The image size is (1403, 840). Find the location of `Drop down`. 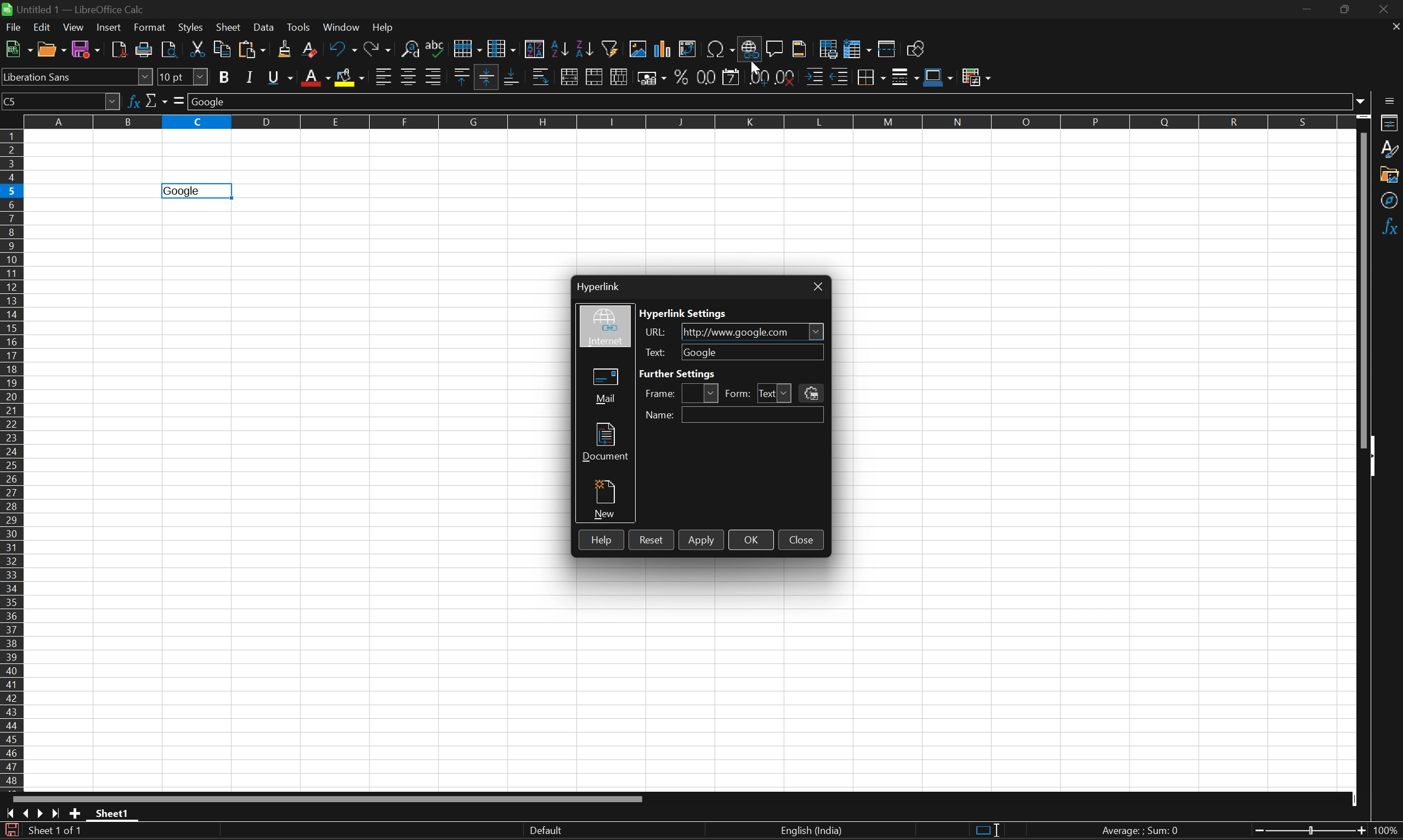

Drop down is located at coordinates (787, 393).